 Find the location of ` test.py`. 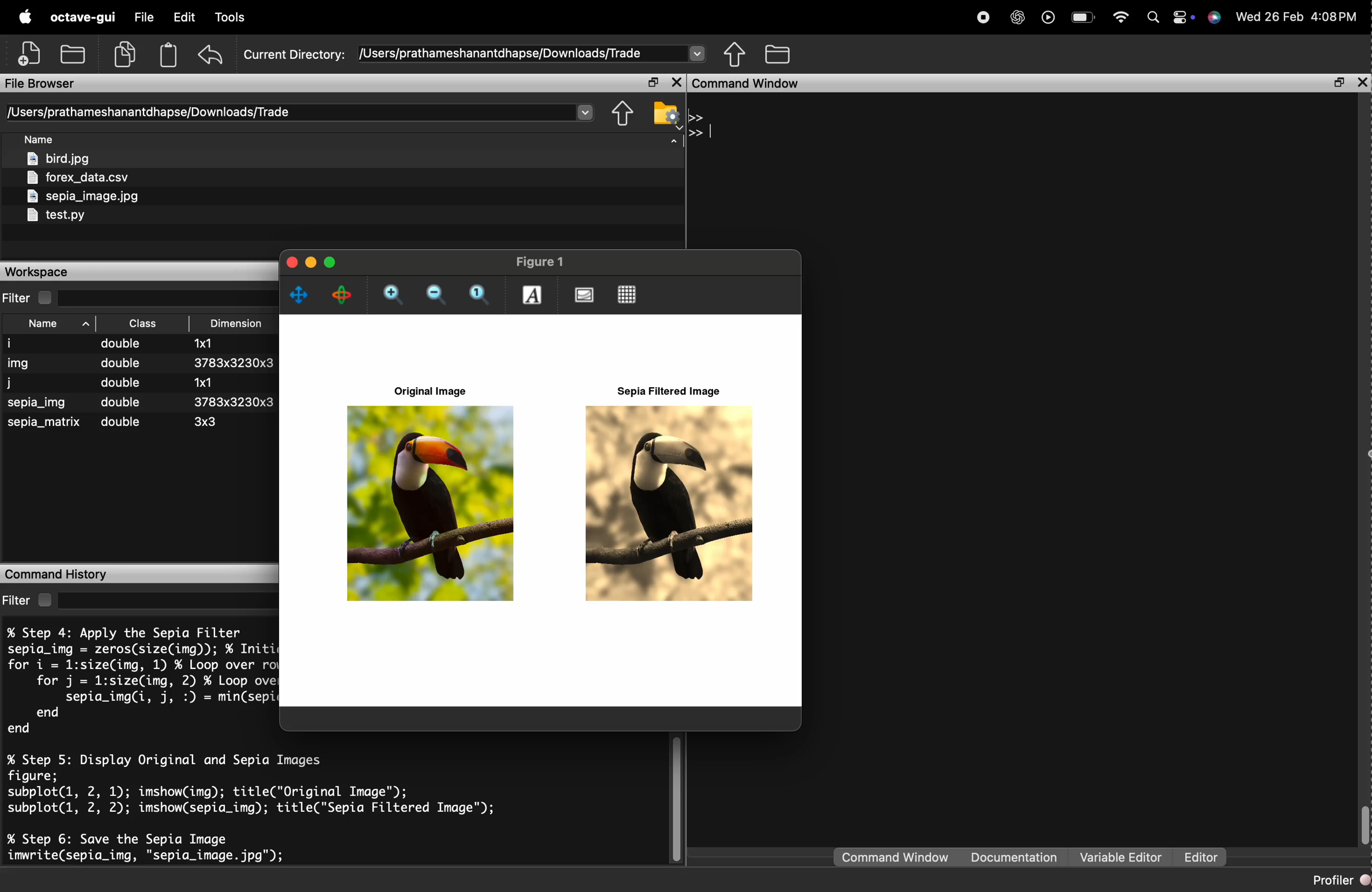

 test.py is located at coordinates (56, 216).